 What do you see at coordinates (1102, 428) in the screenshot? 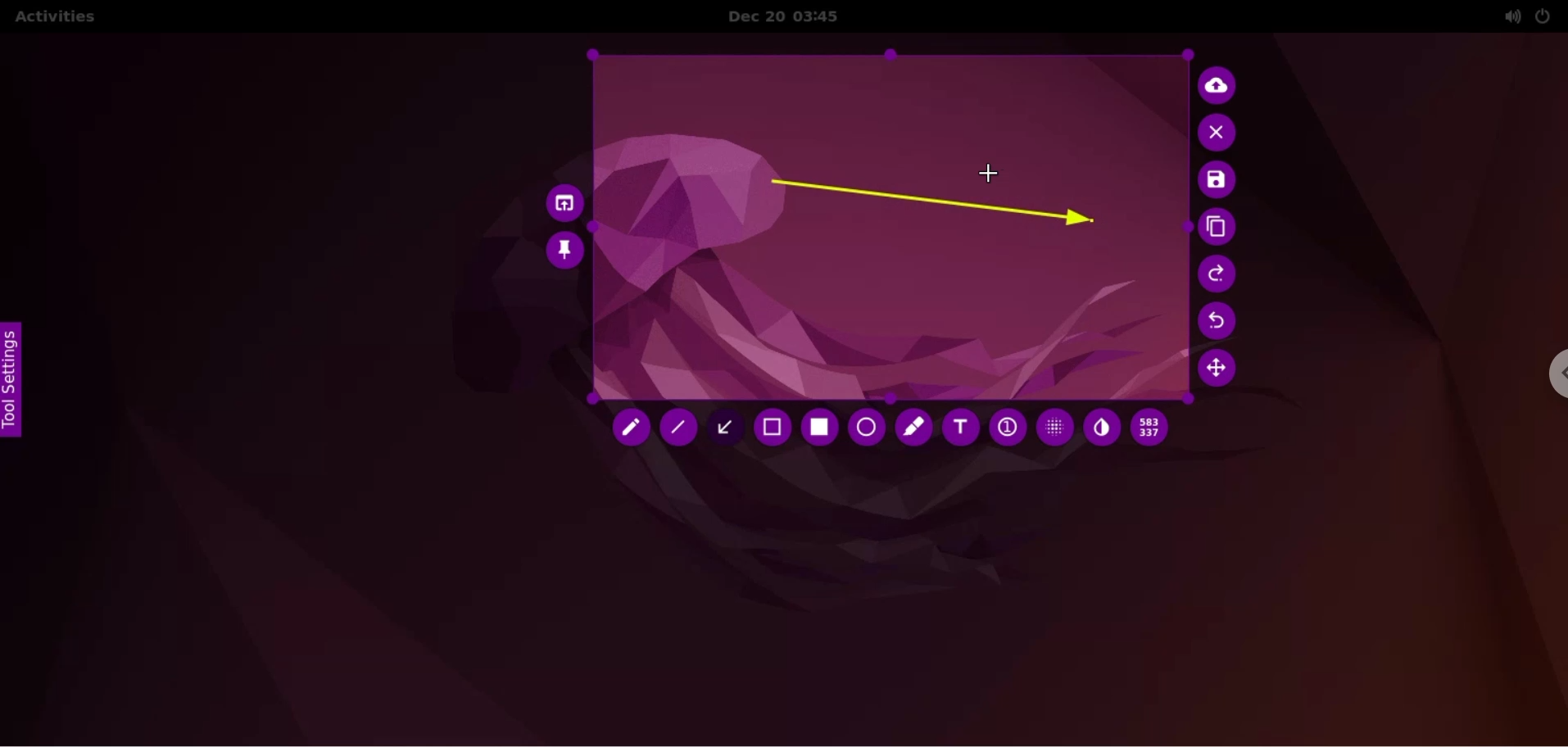
I see `inverter tool` at bounding box center [1102, 428].